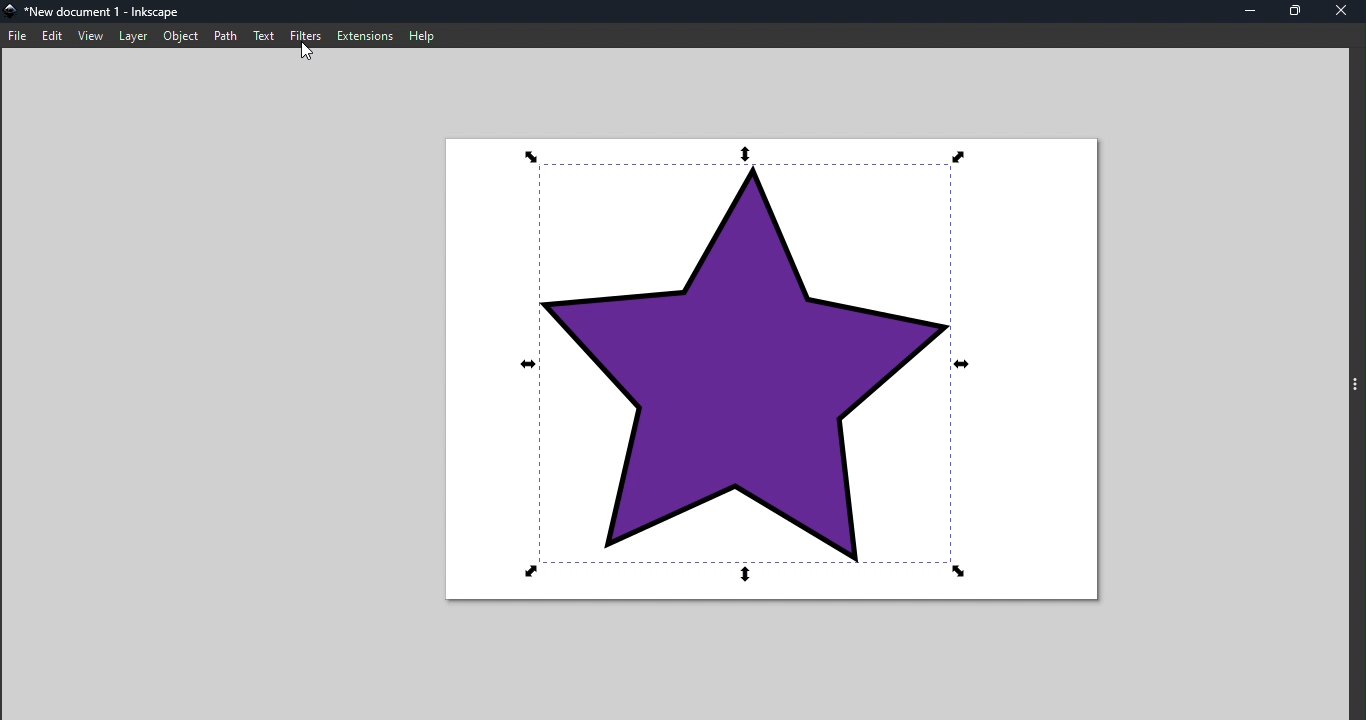 The image size is (1366, 720). What do you see at coordinates (423, 33) in the screenshot?
I see `Help` at bounding box center [423, 33].